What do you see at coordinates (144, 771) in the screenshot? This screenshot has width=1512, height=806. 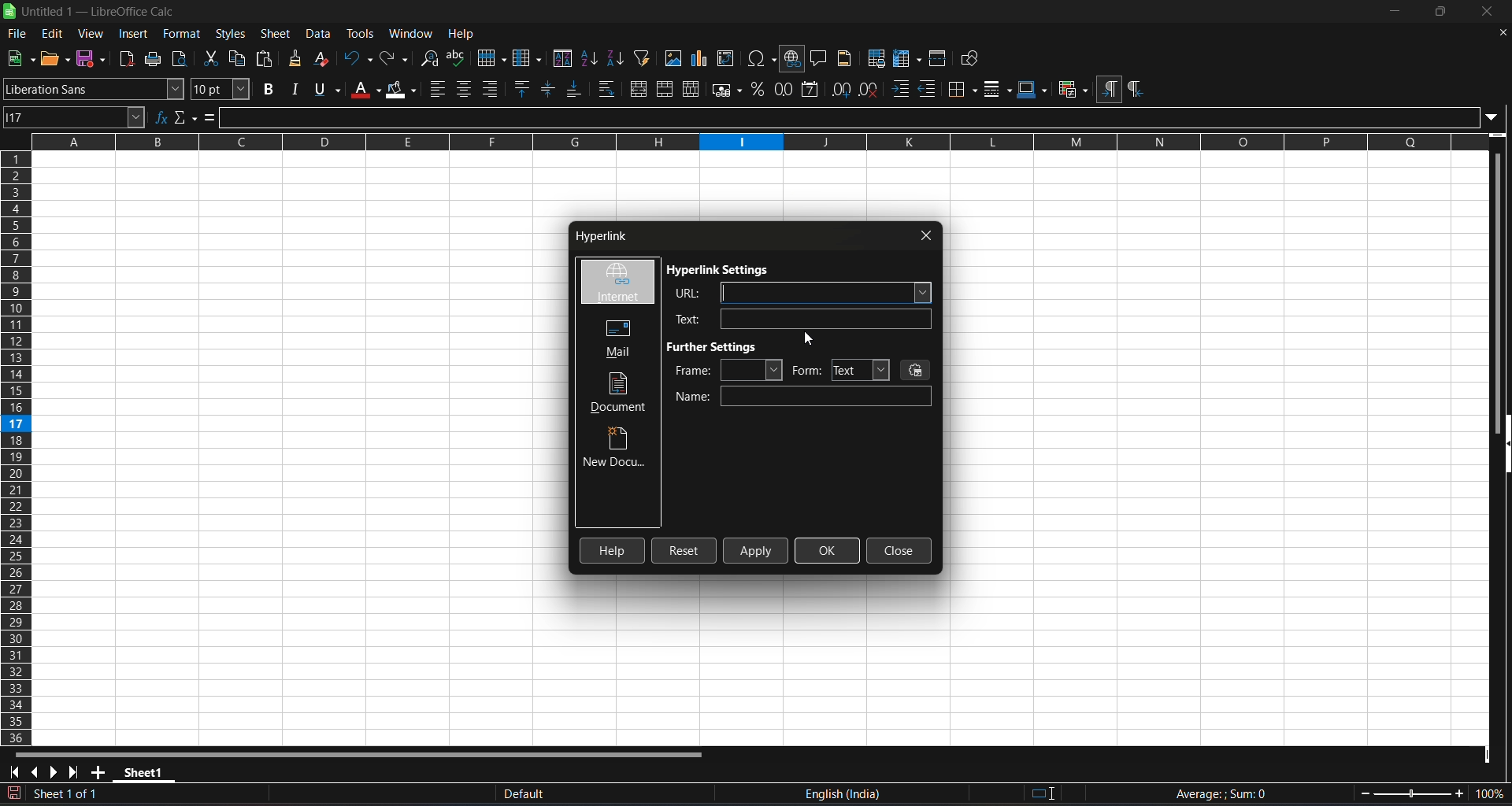 I see `sheet 1` at bounding box center [144, 771].